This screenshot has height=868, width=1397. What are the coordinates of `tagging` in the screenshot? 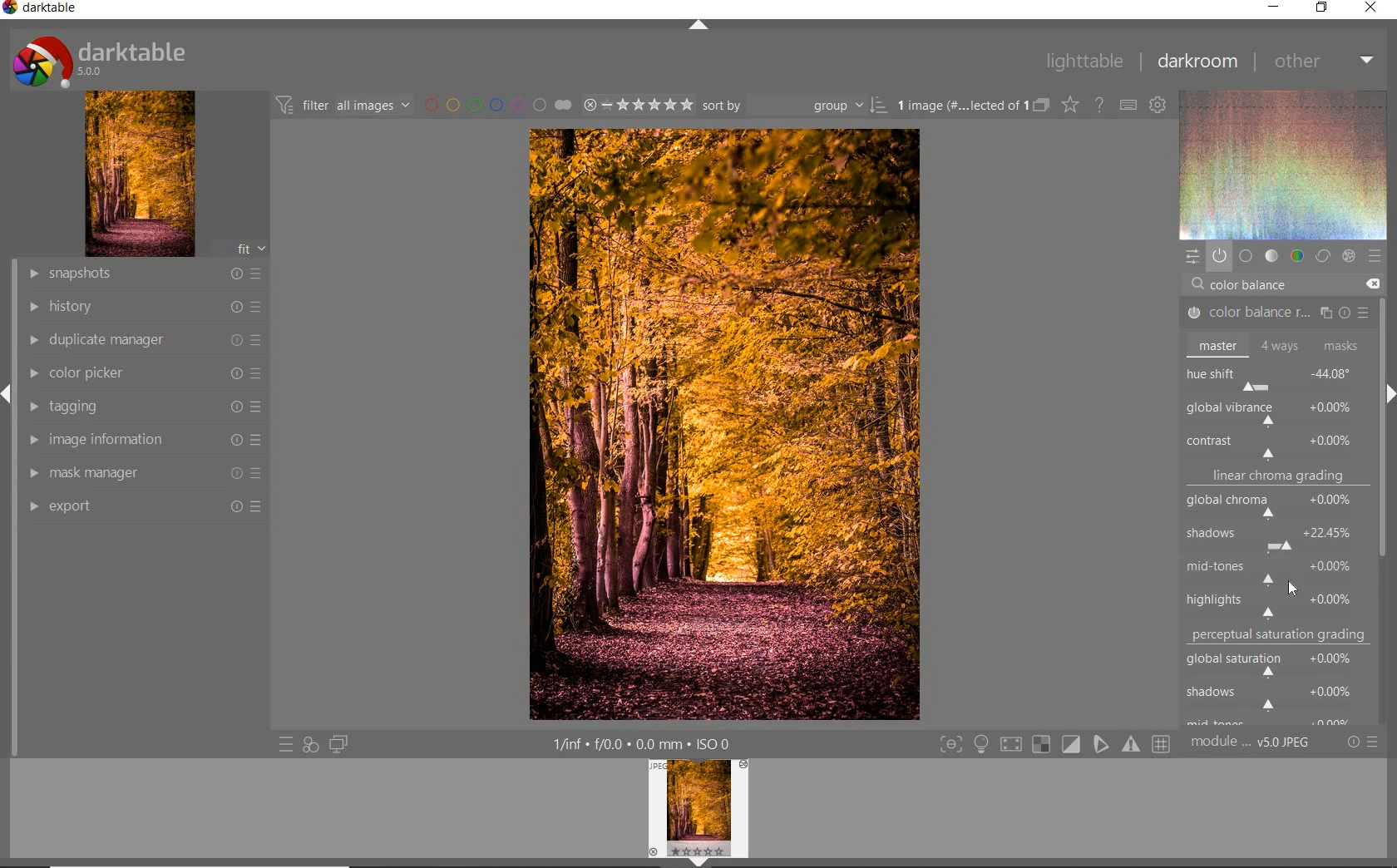 It's located at (143, 408).